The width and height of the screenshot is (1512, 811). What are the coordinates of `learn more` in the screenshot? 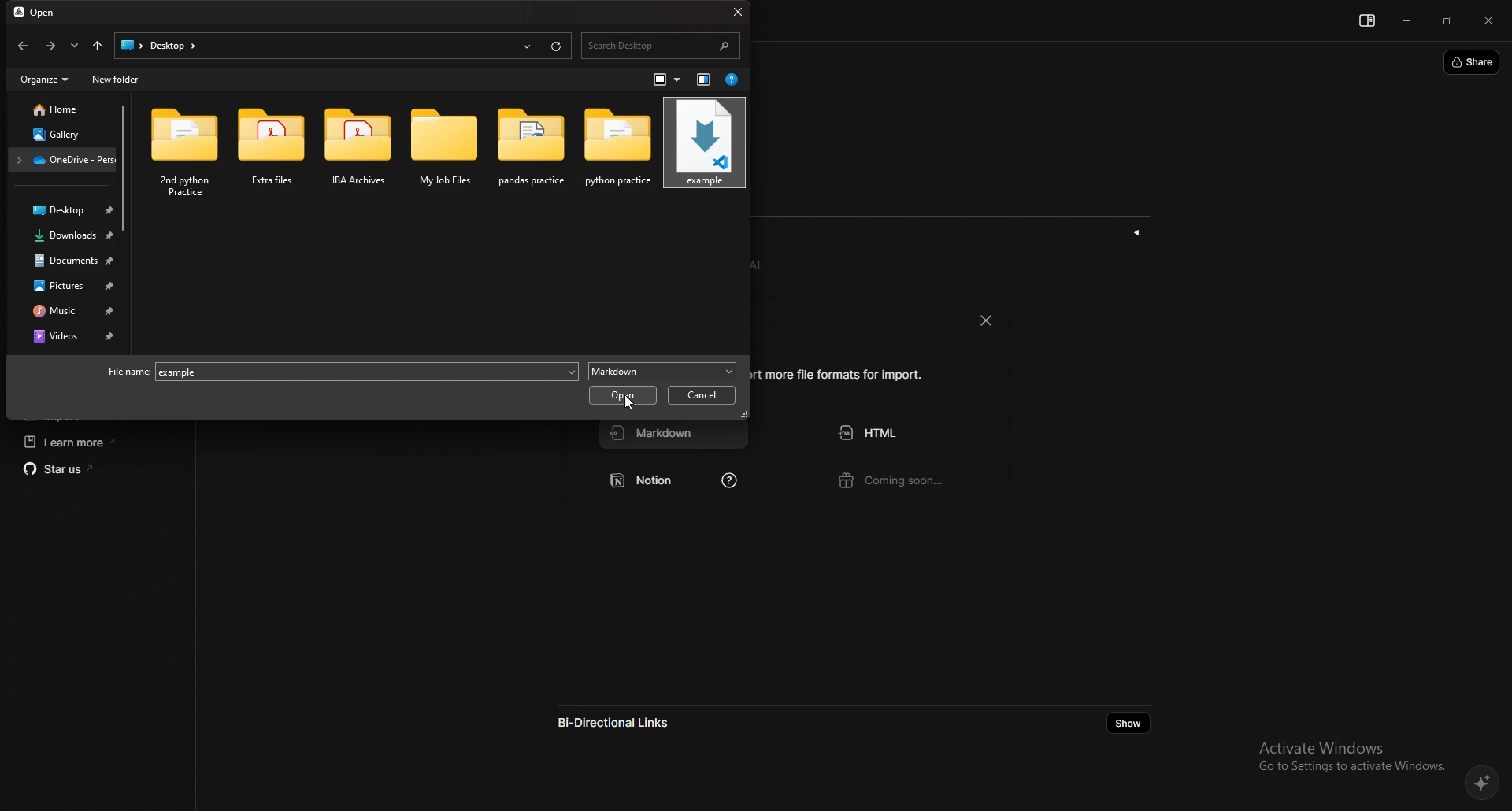 It's located at (94, 443).